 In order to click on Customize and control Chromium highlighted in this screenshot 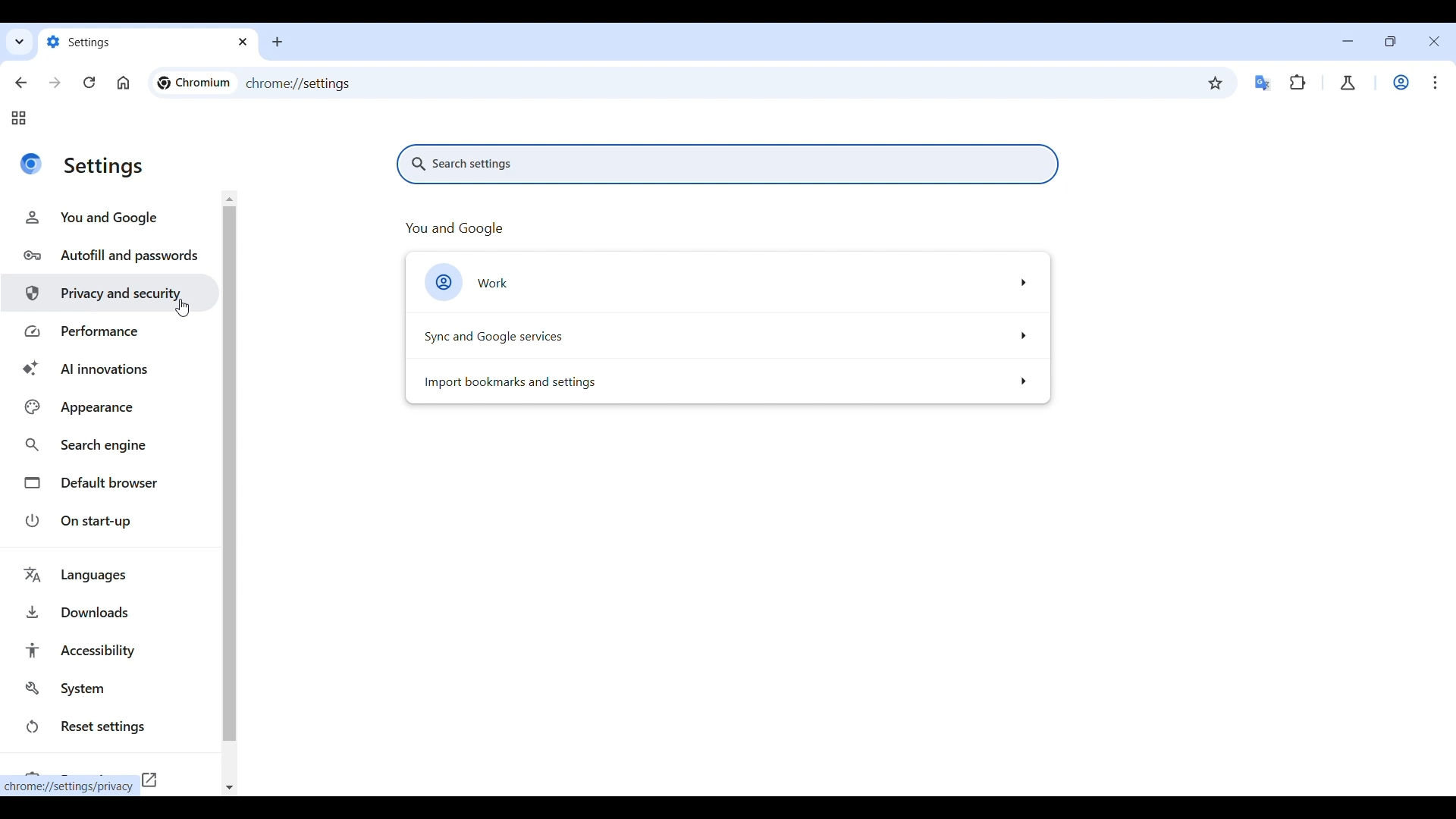, I will do `click(1436, 83)`.